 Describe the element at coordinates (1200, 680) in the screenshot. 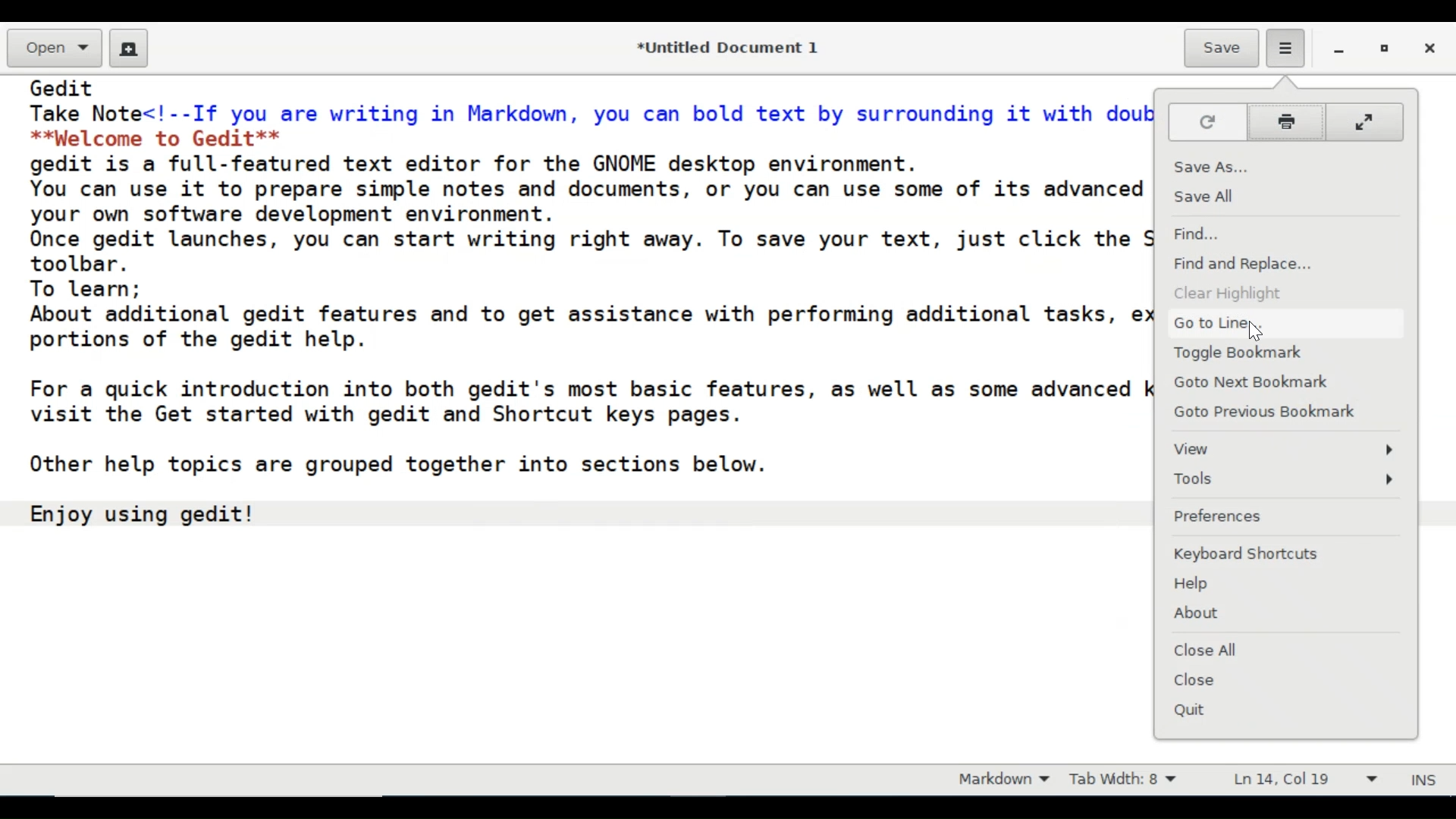

I see `Close` at that location.